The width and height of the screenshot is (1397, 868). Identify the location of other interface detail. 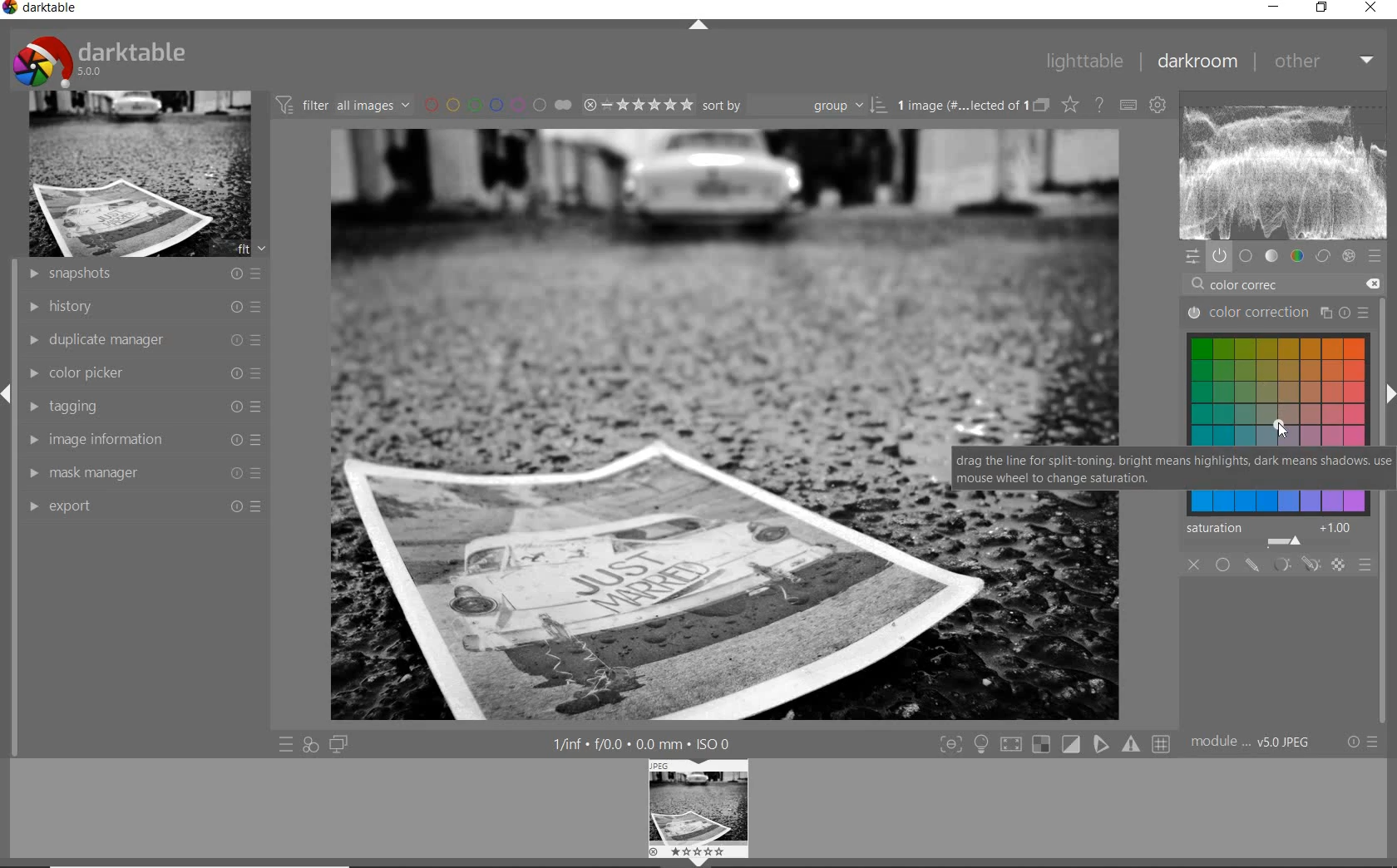
(642, 744).